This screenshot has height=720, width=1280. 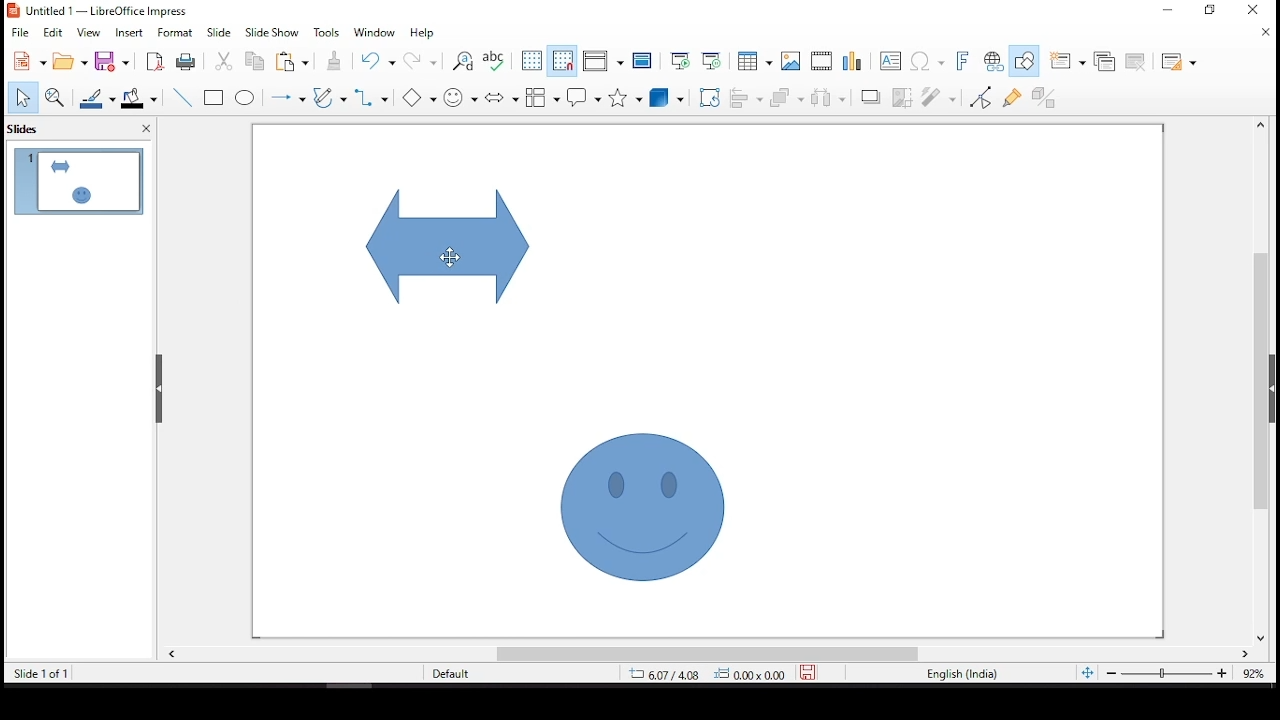 What do you see at coordinates (709, 654) in the screenshot?
I see `scroll bar` at bounding box center [709, 654].